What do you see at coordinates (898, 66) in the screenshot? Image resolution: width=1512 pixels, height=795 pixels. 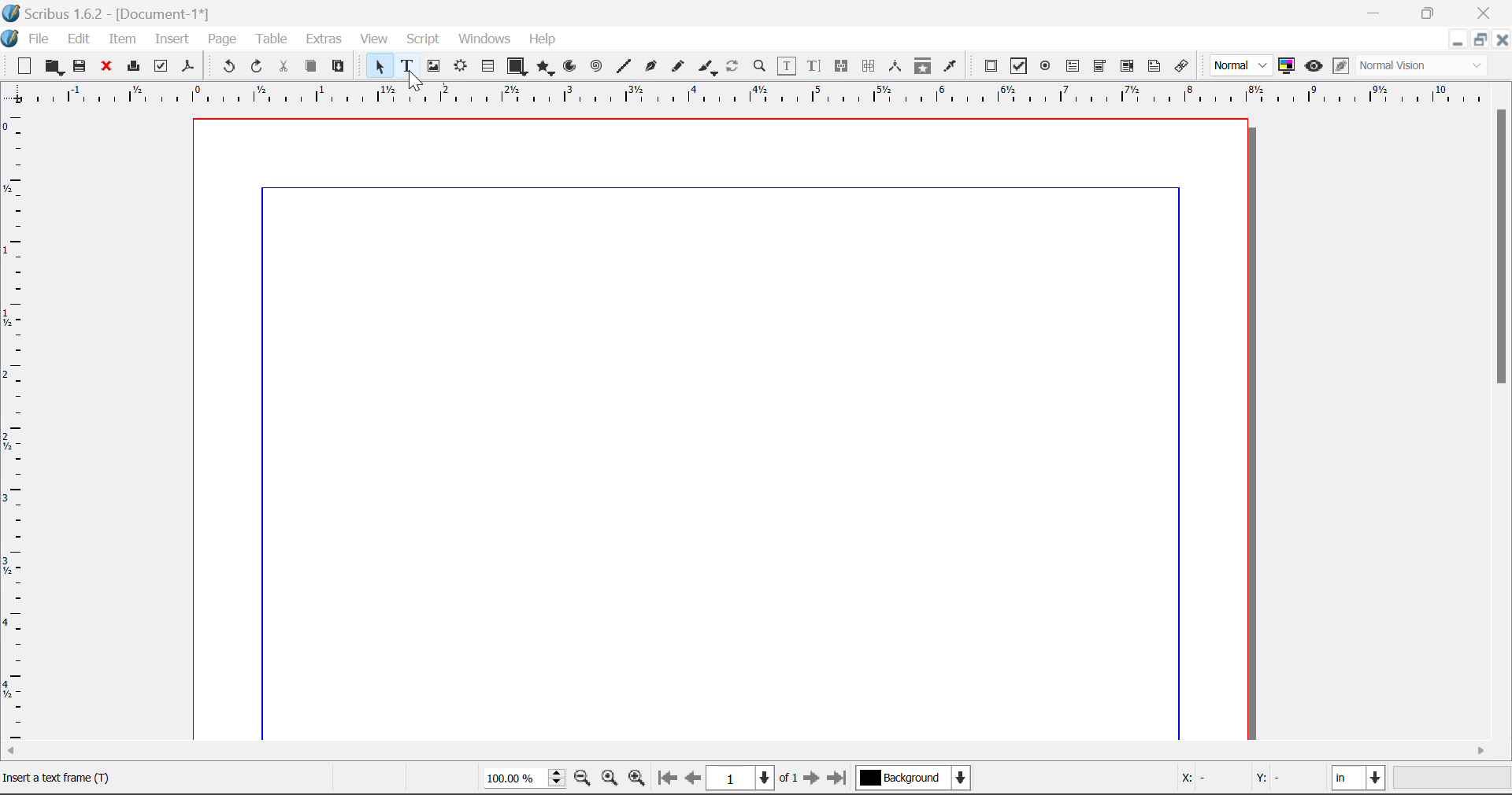 I see `Measurements` at bounding box center [898, 66].